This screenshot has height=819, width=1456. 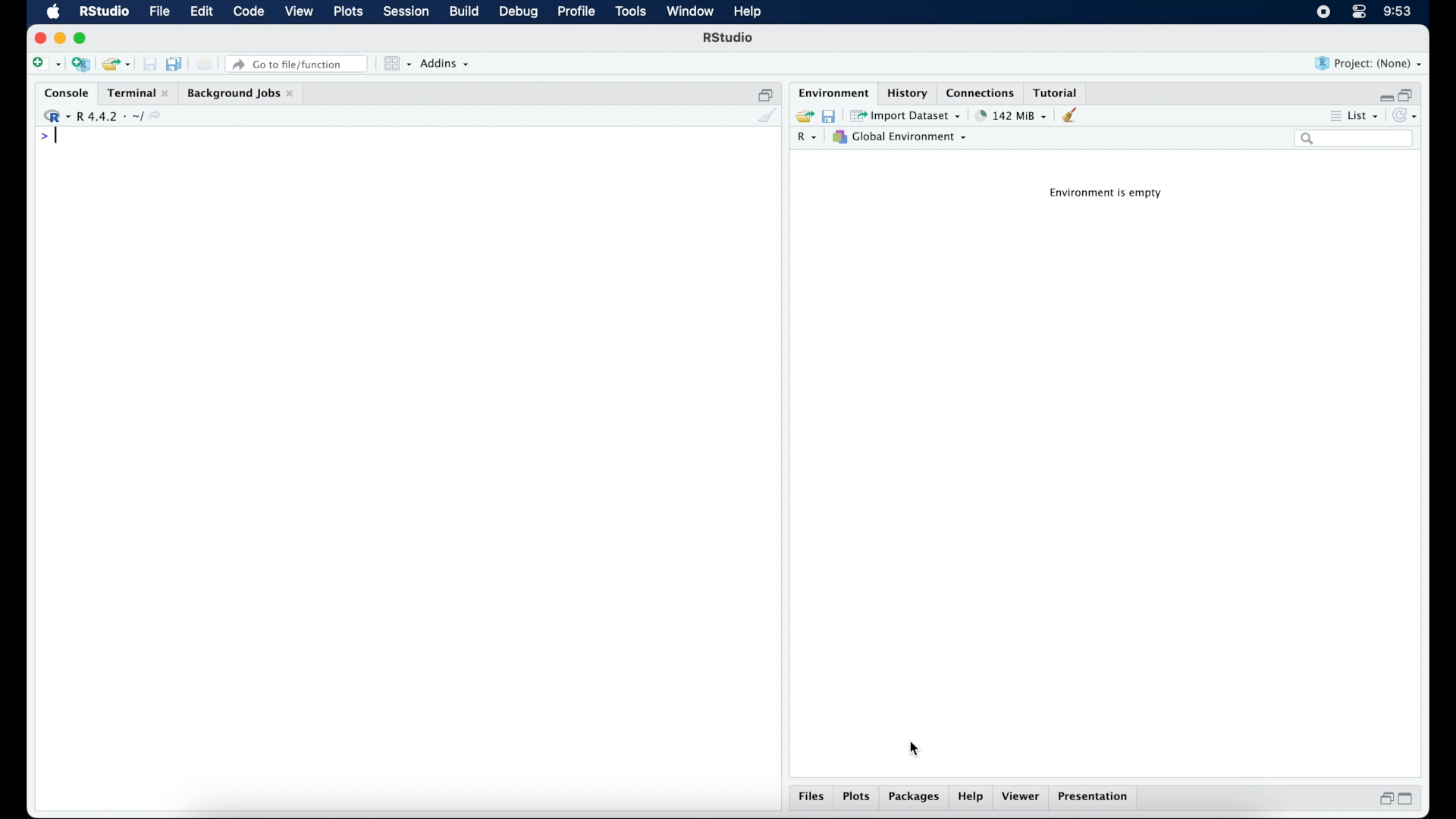 I want to click on restore down, so click(x=1384, y=799).